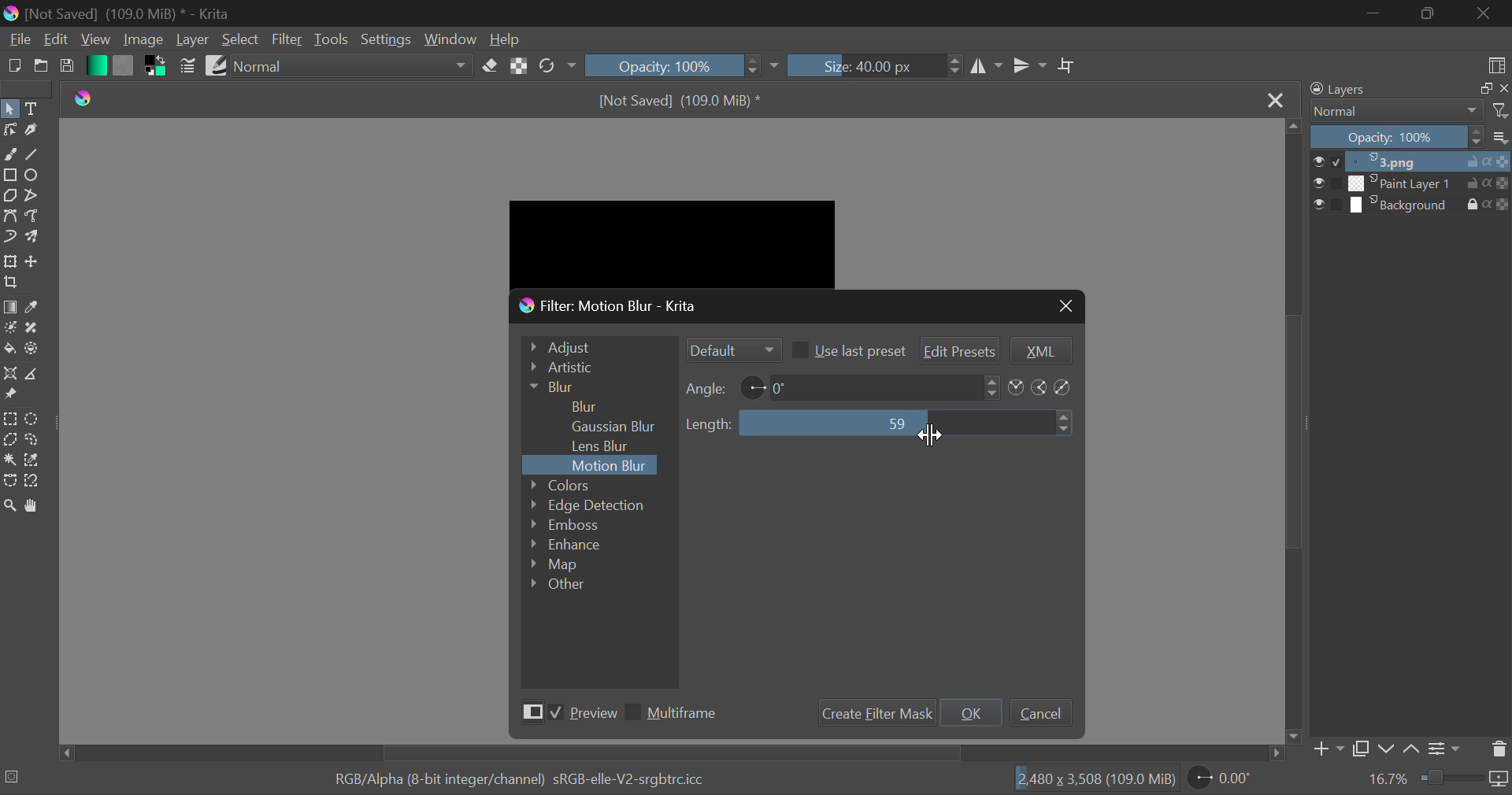 Image resolution: width=1512 pixels, height=795 pixels. Describe the element at coordinates (13, 67) in the screenshot. I see `New` at that location.